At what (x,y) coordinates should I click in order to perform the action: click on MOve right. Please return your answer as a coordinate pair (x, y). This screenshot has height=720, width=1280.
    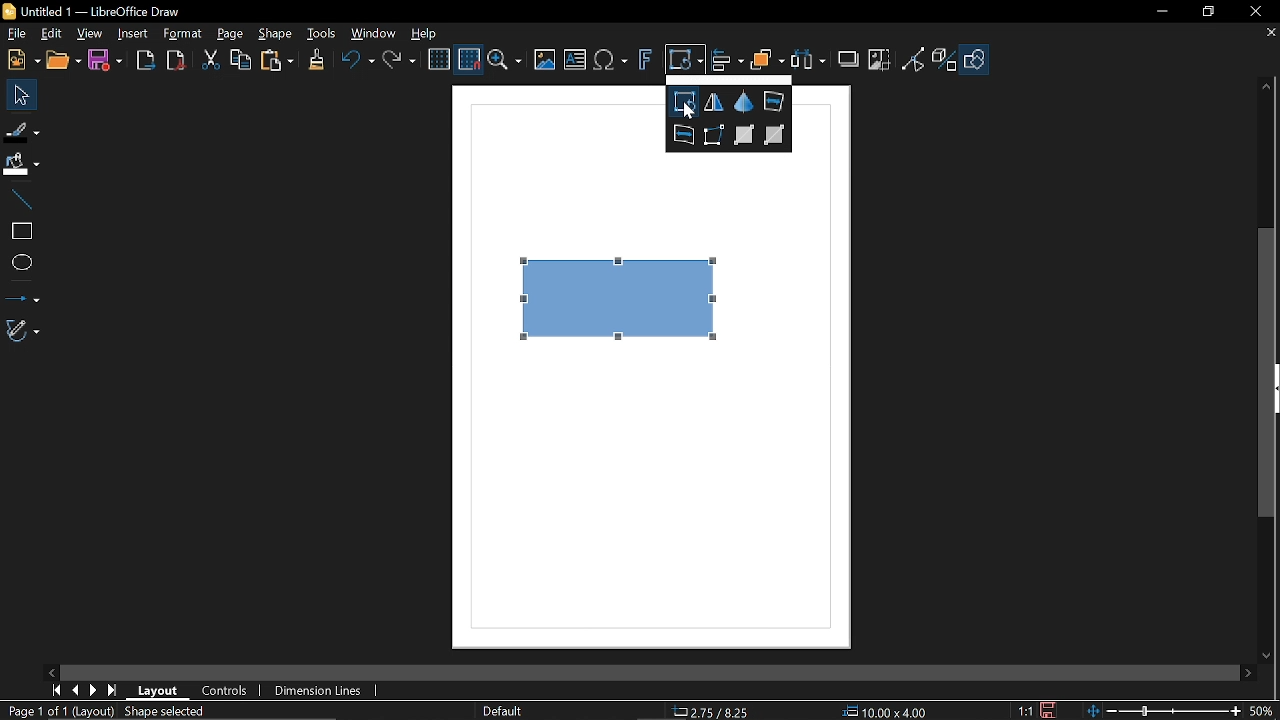
    Looking at the image, I should click on (91, 691).